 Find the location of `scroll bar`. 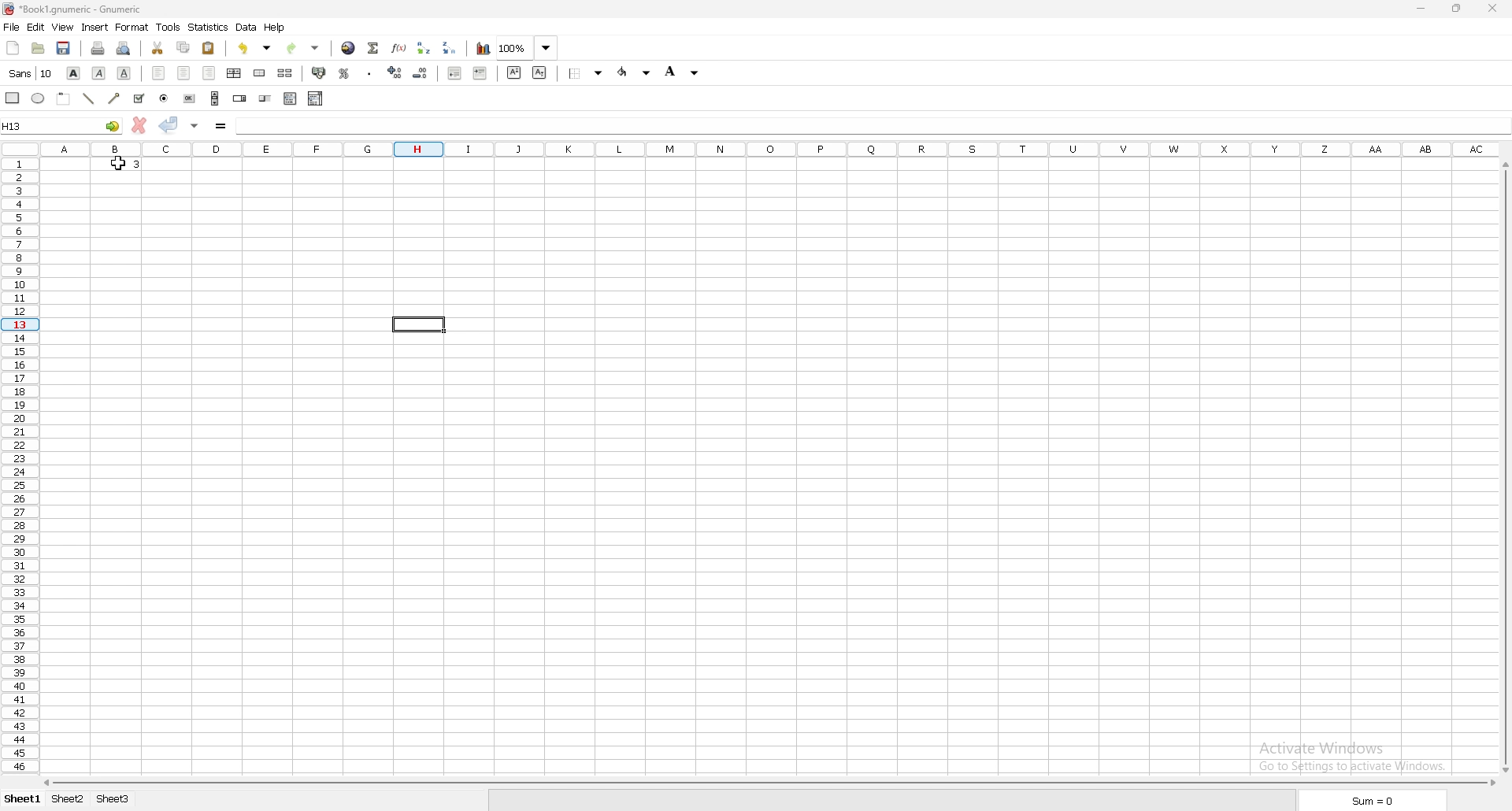

scroll bar is located at coordinates (773, 783).